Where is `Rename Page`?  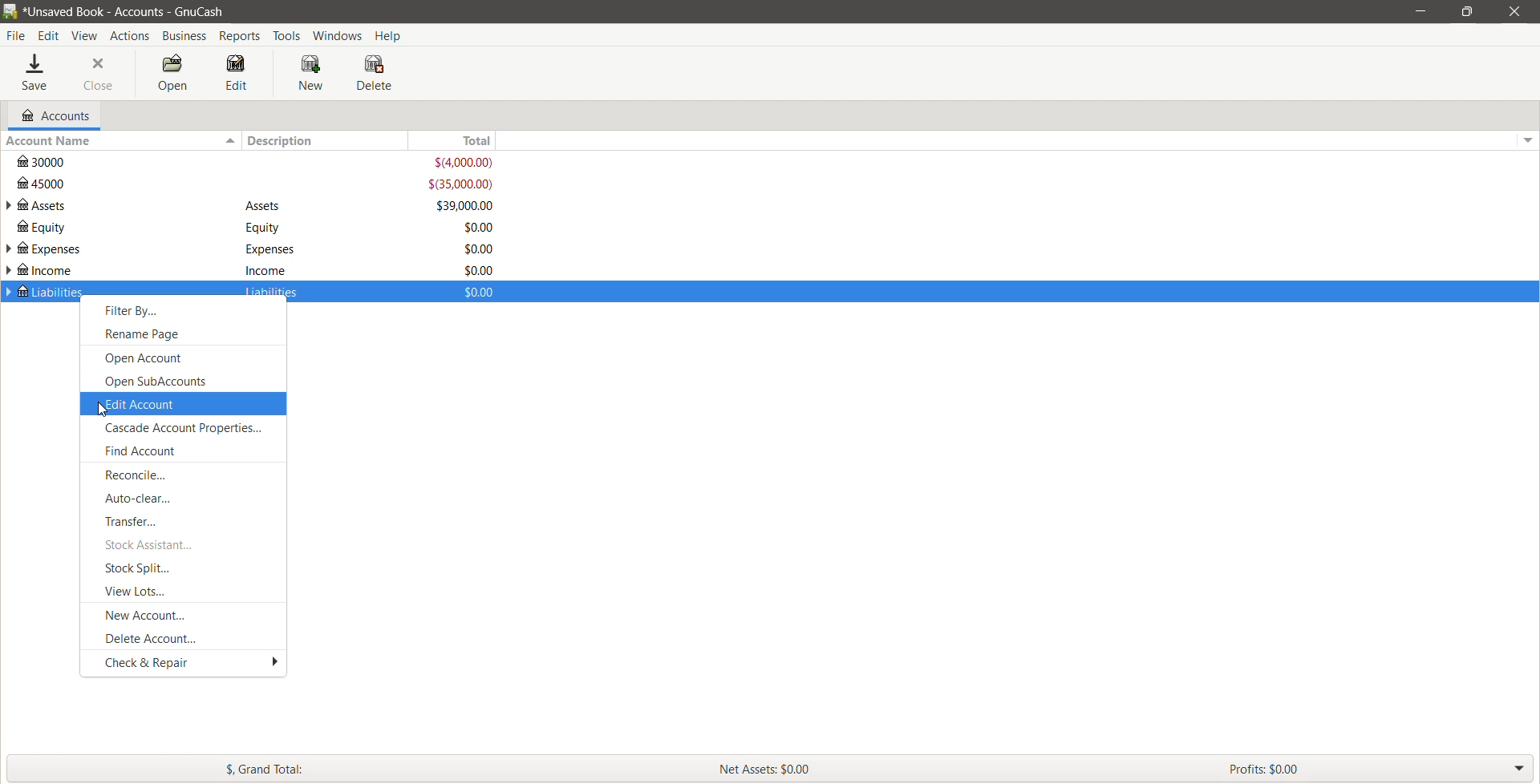
Rename Page is located at coordinates (148, 335).